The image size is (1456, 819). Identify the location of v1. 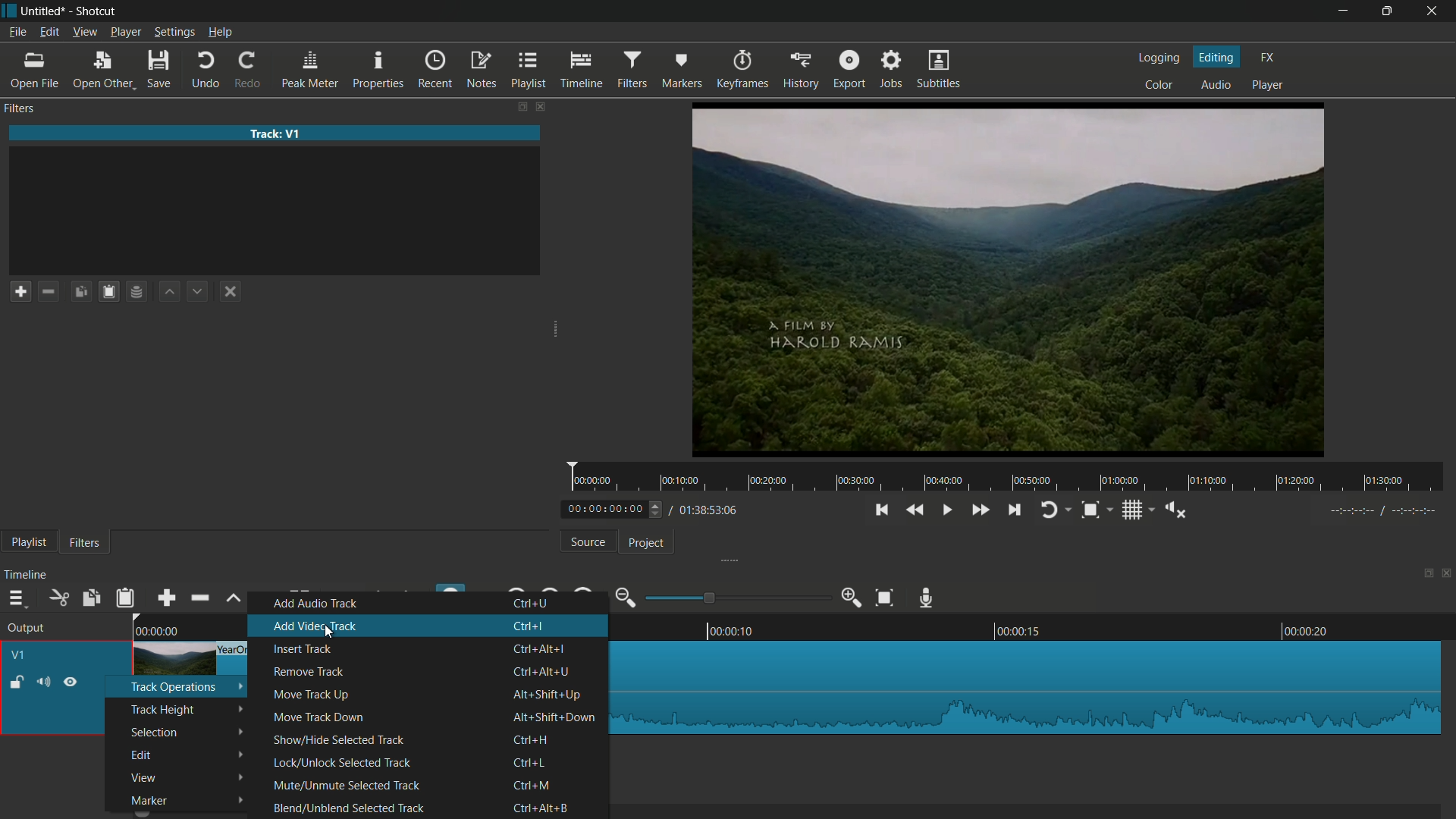
(19, 656).